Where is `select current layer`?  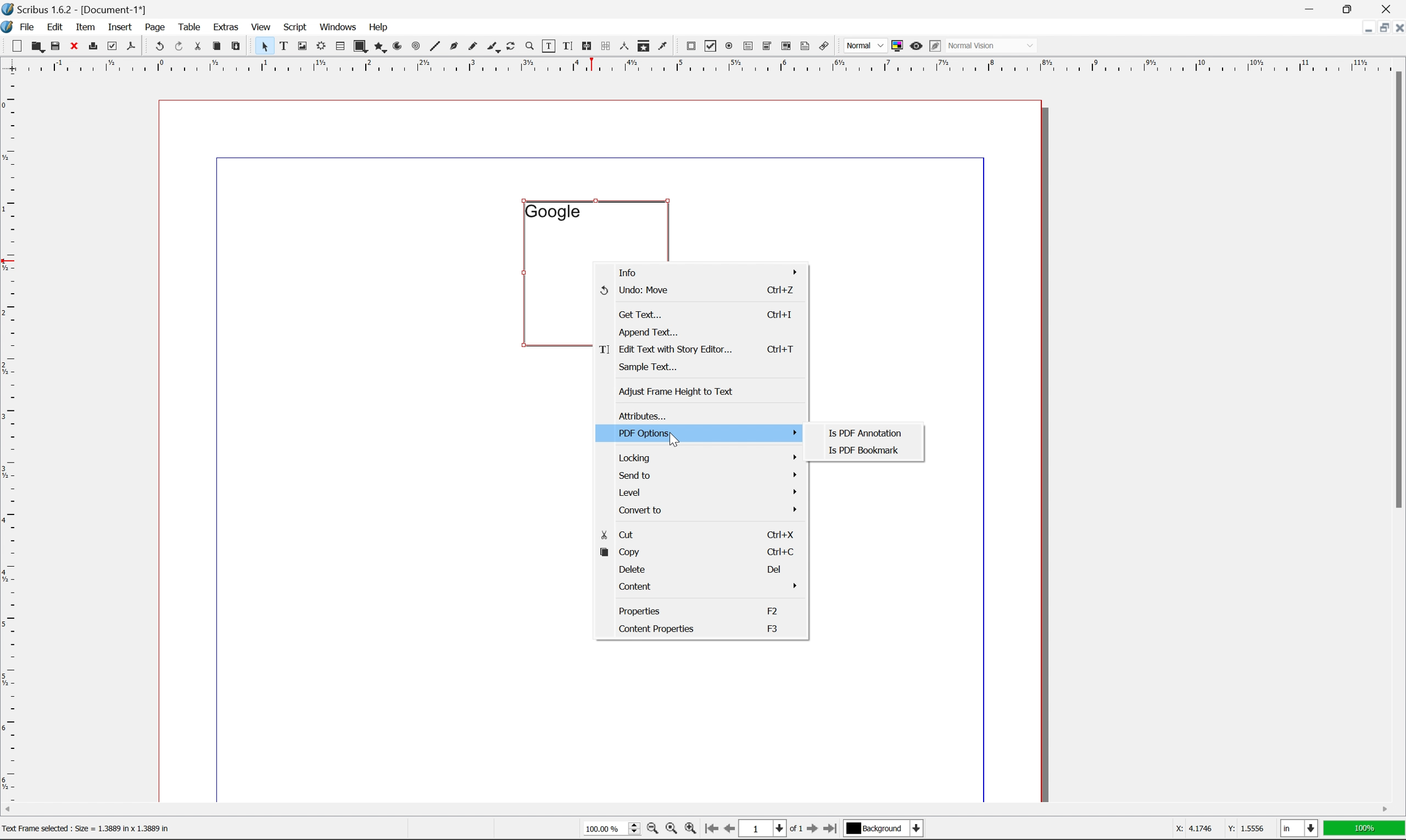 select current layer is located at coordinates (882, 829).